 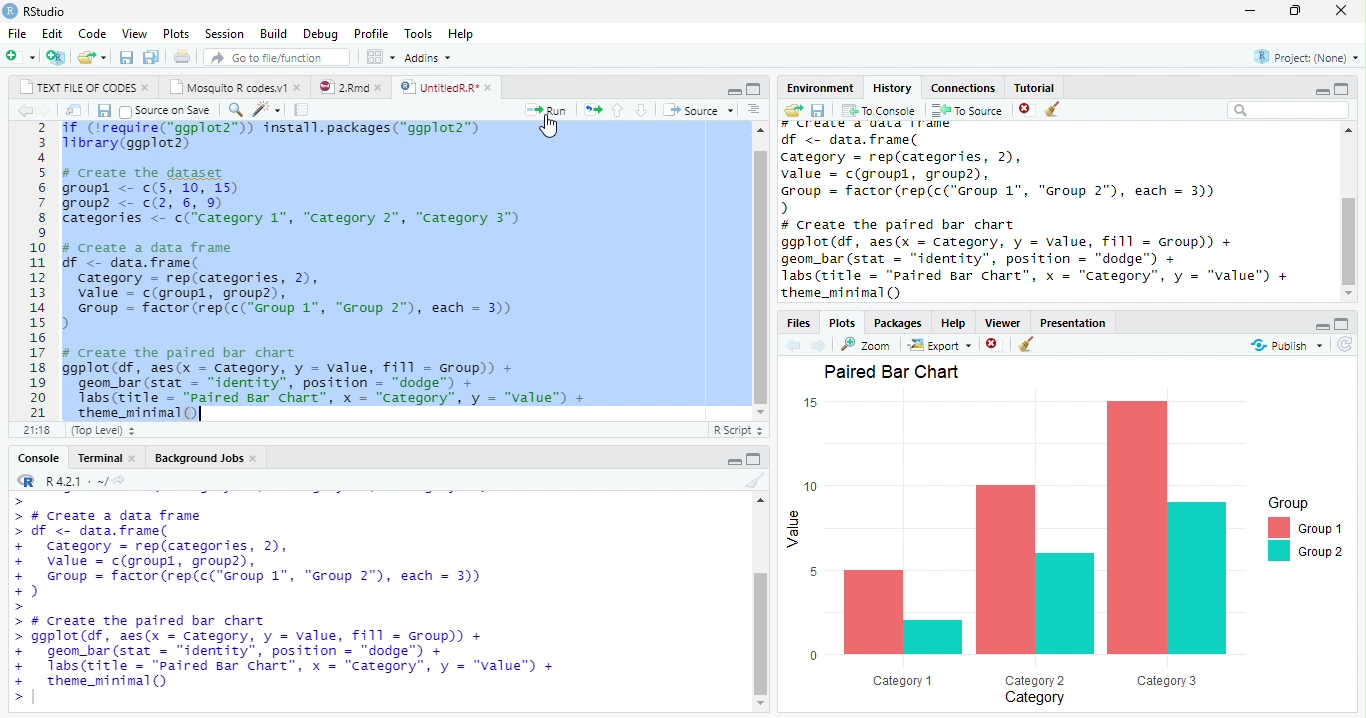 What do you see at coordinates (185, 57) in the screenshot?
I see `print current file` at bounding box center [185, 57].